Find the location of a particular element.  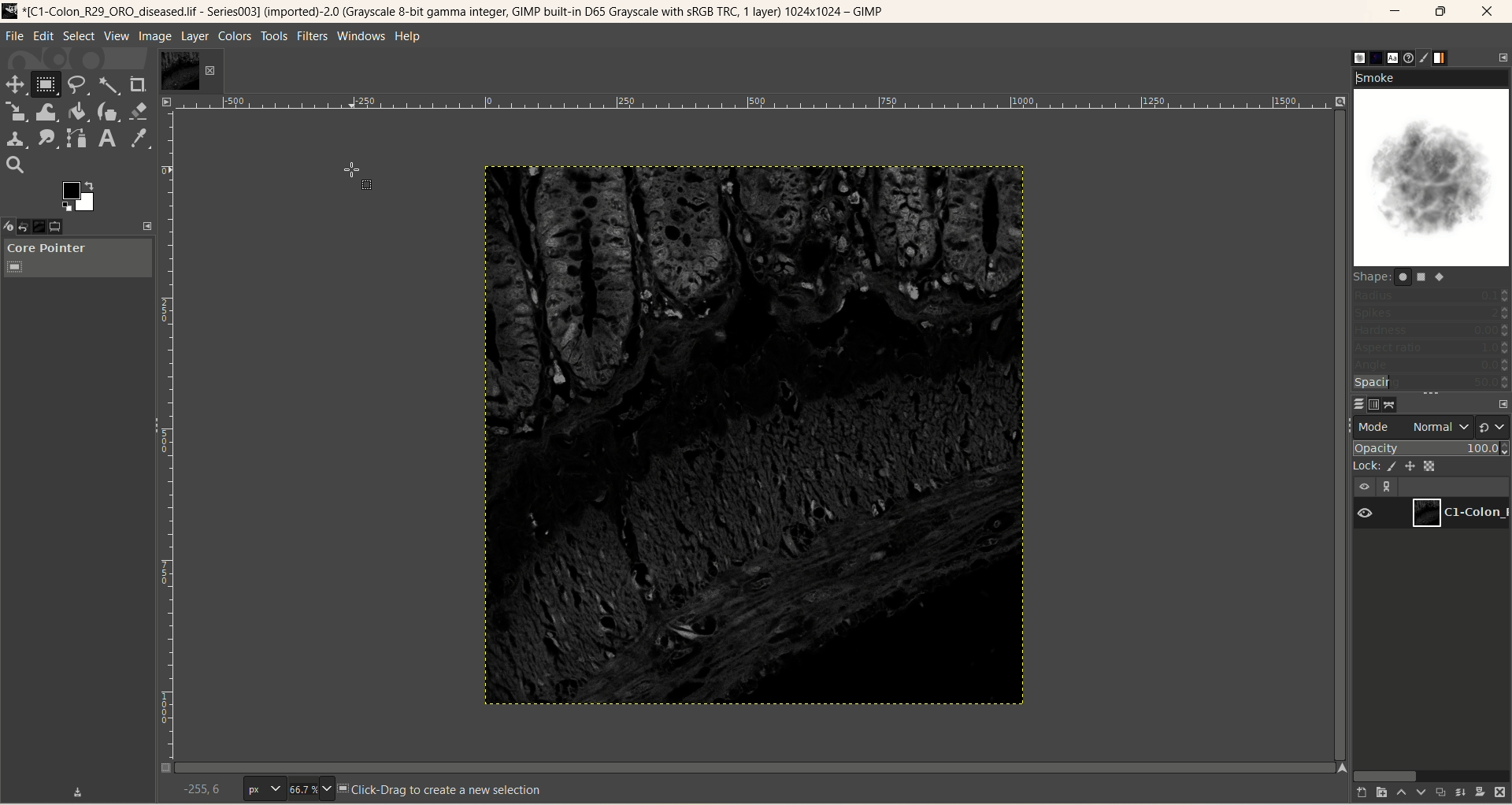

image is located at coordinates (41, 225).